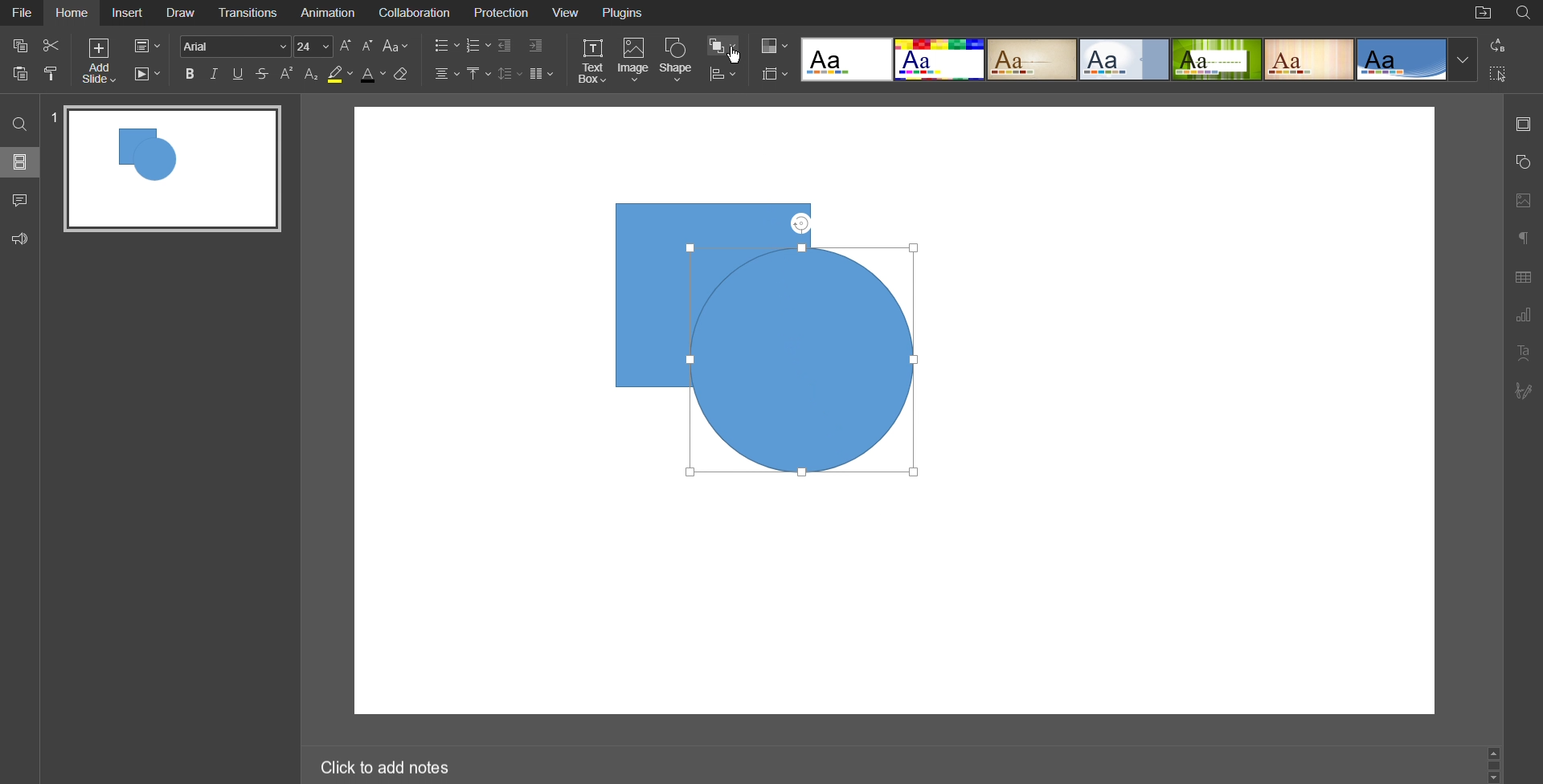  I want to click on Increase Font, so click(346, 45).